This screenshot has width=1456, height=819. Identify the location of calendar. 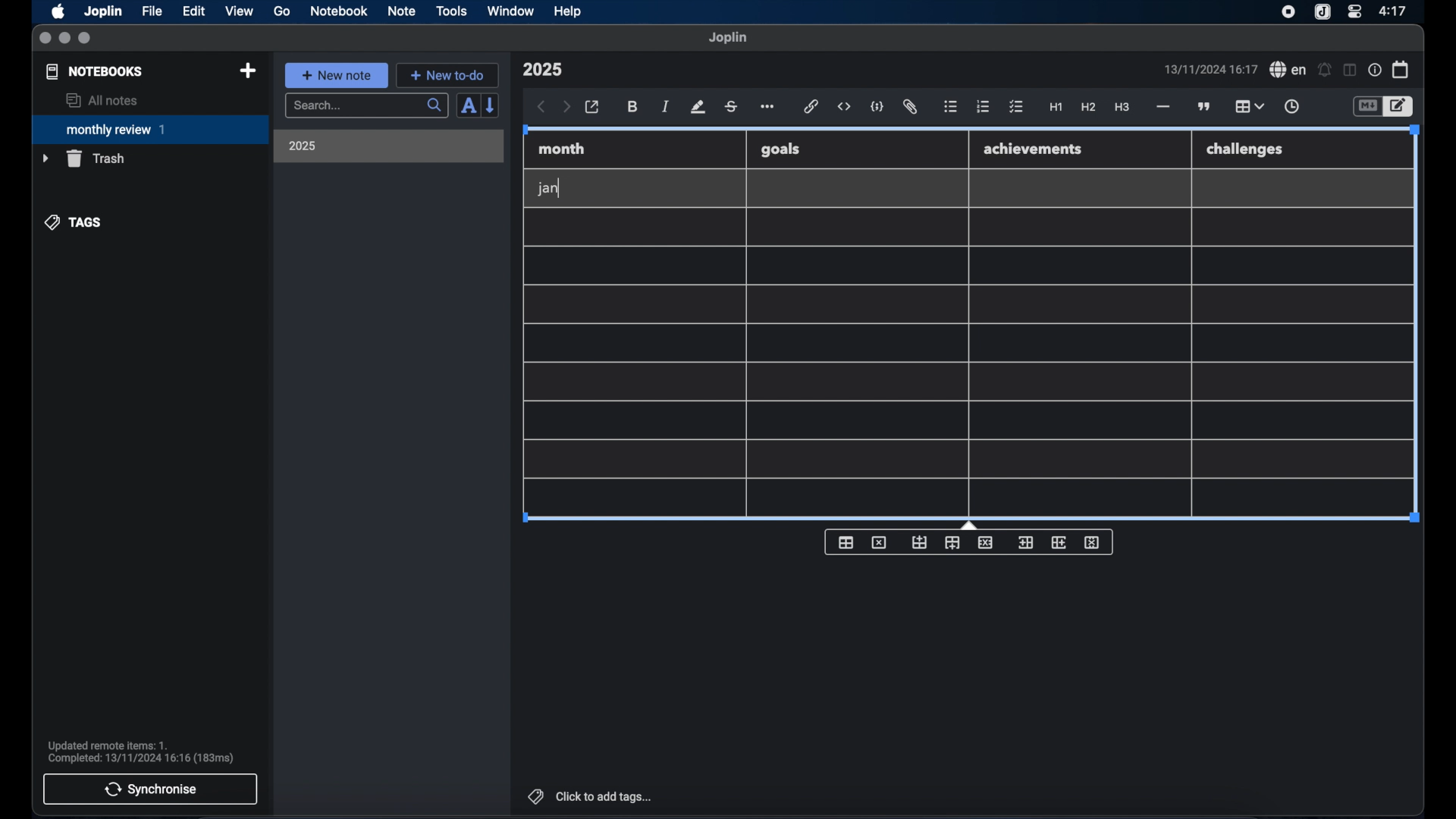
(1401, 69).